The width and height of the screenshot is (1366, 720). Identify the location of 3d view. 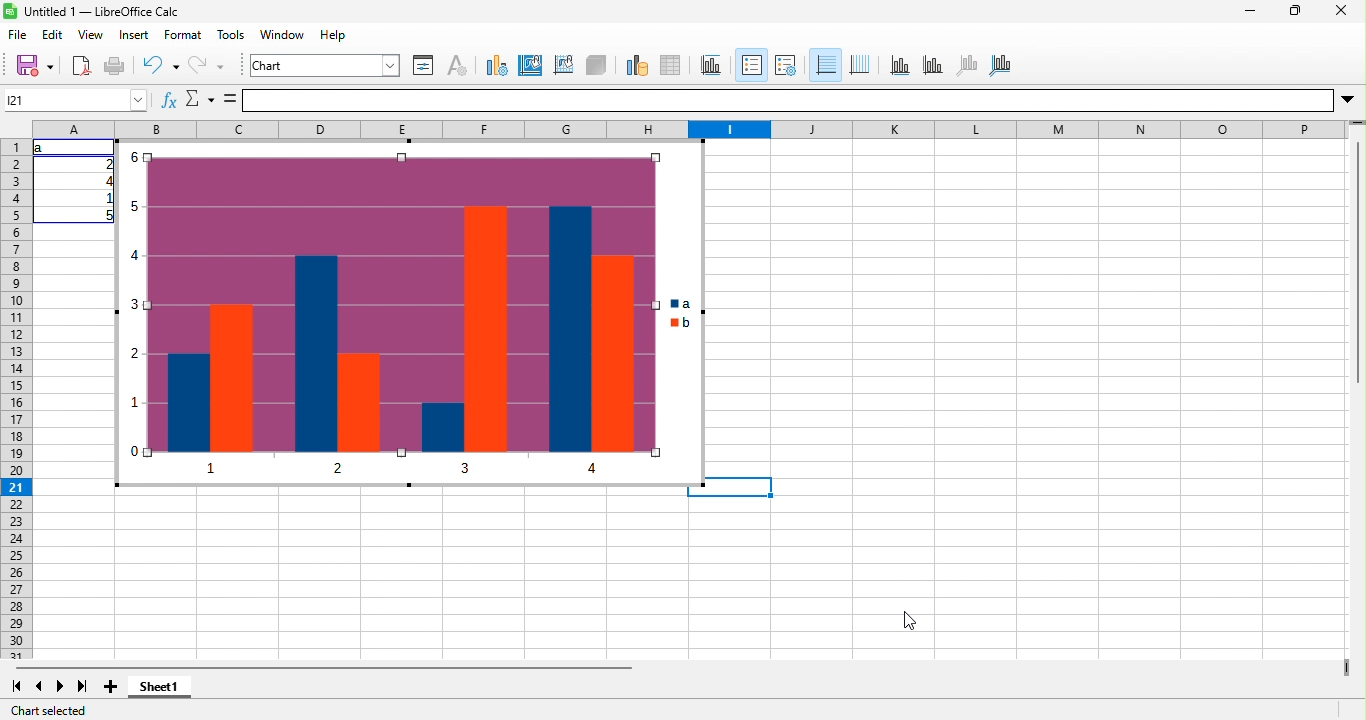
(596, 67).